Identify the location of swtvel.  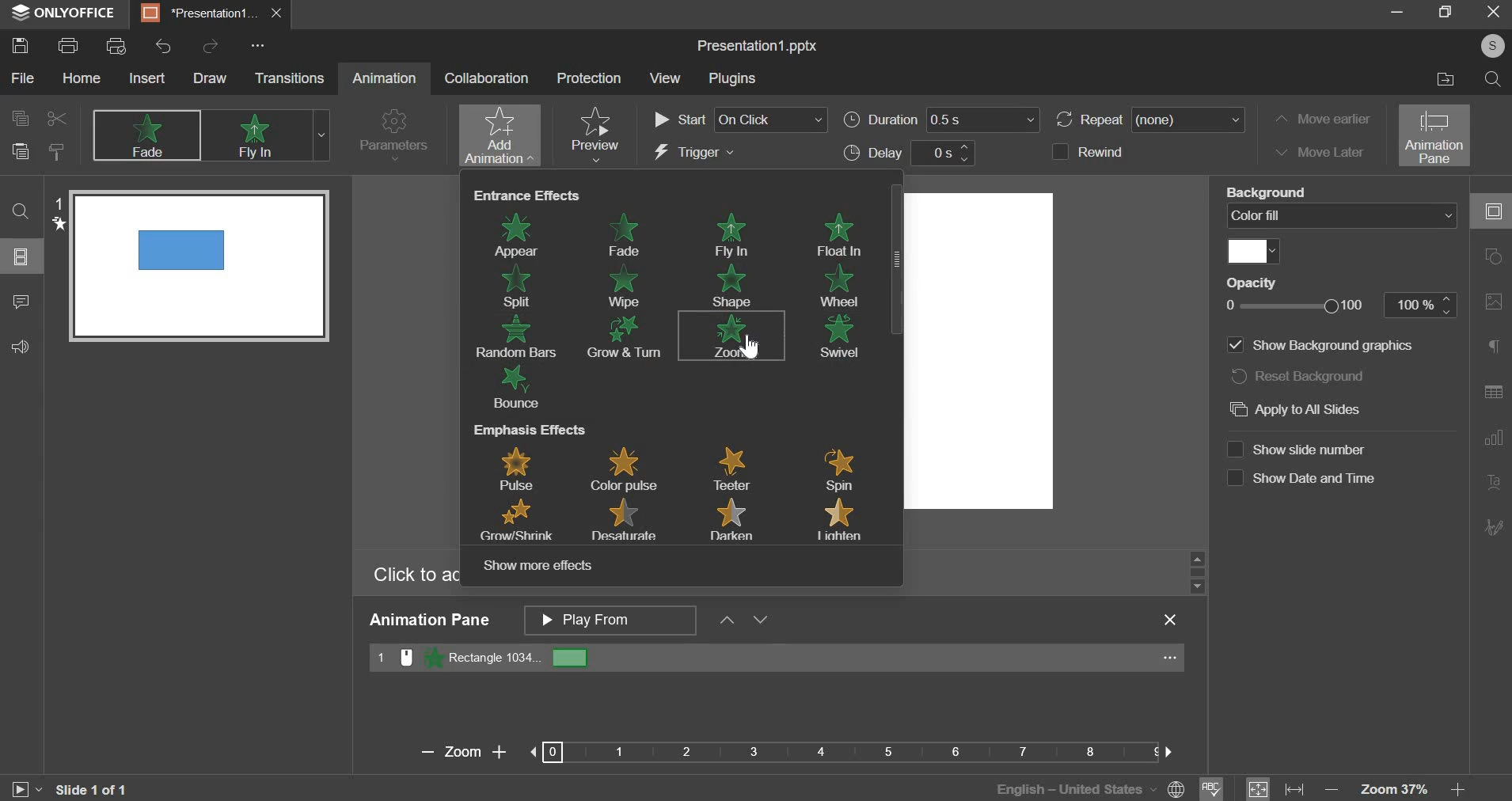
(834, 334).